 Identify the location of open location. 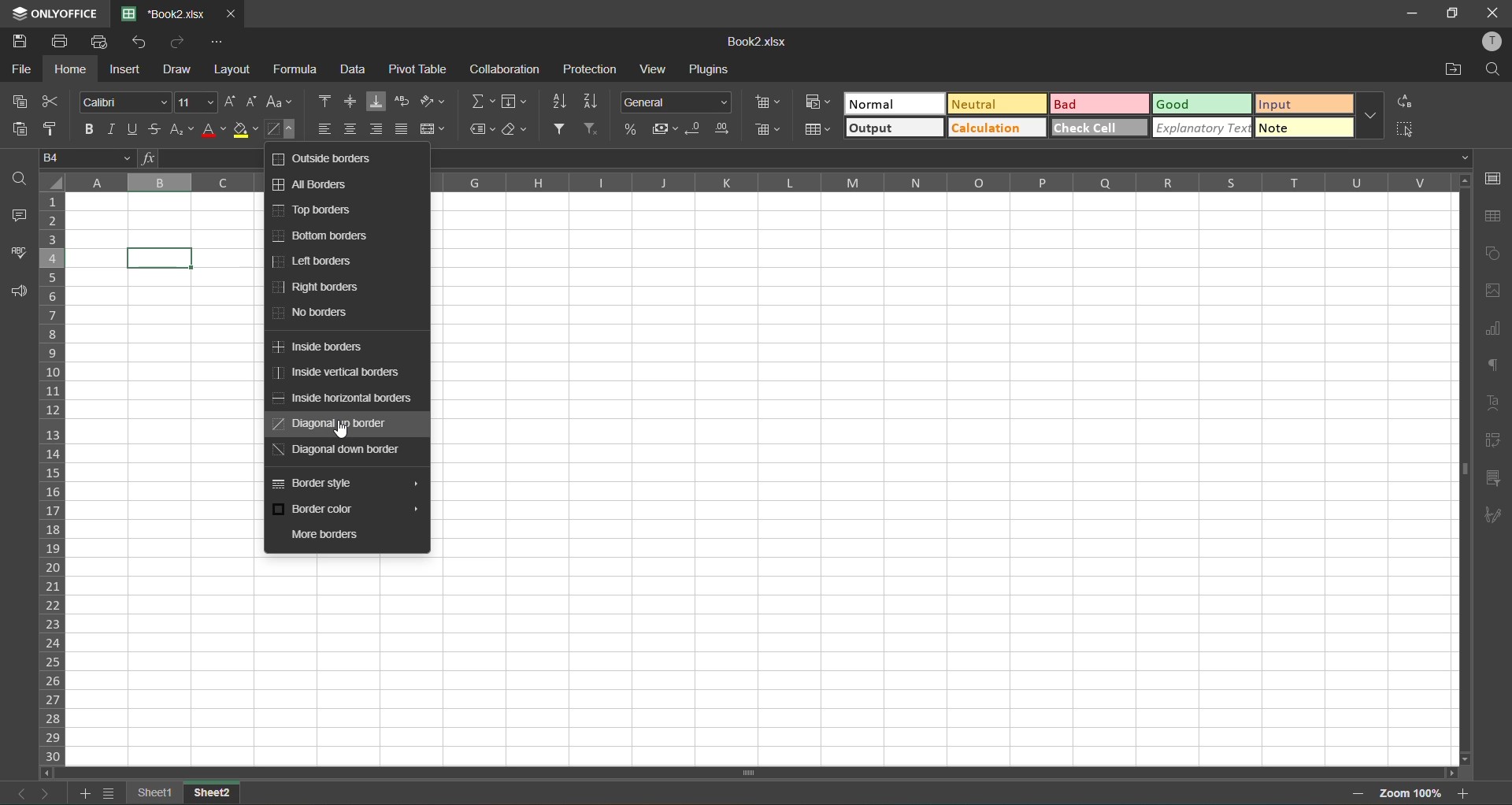
(1452, 70).